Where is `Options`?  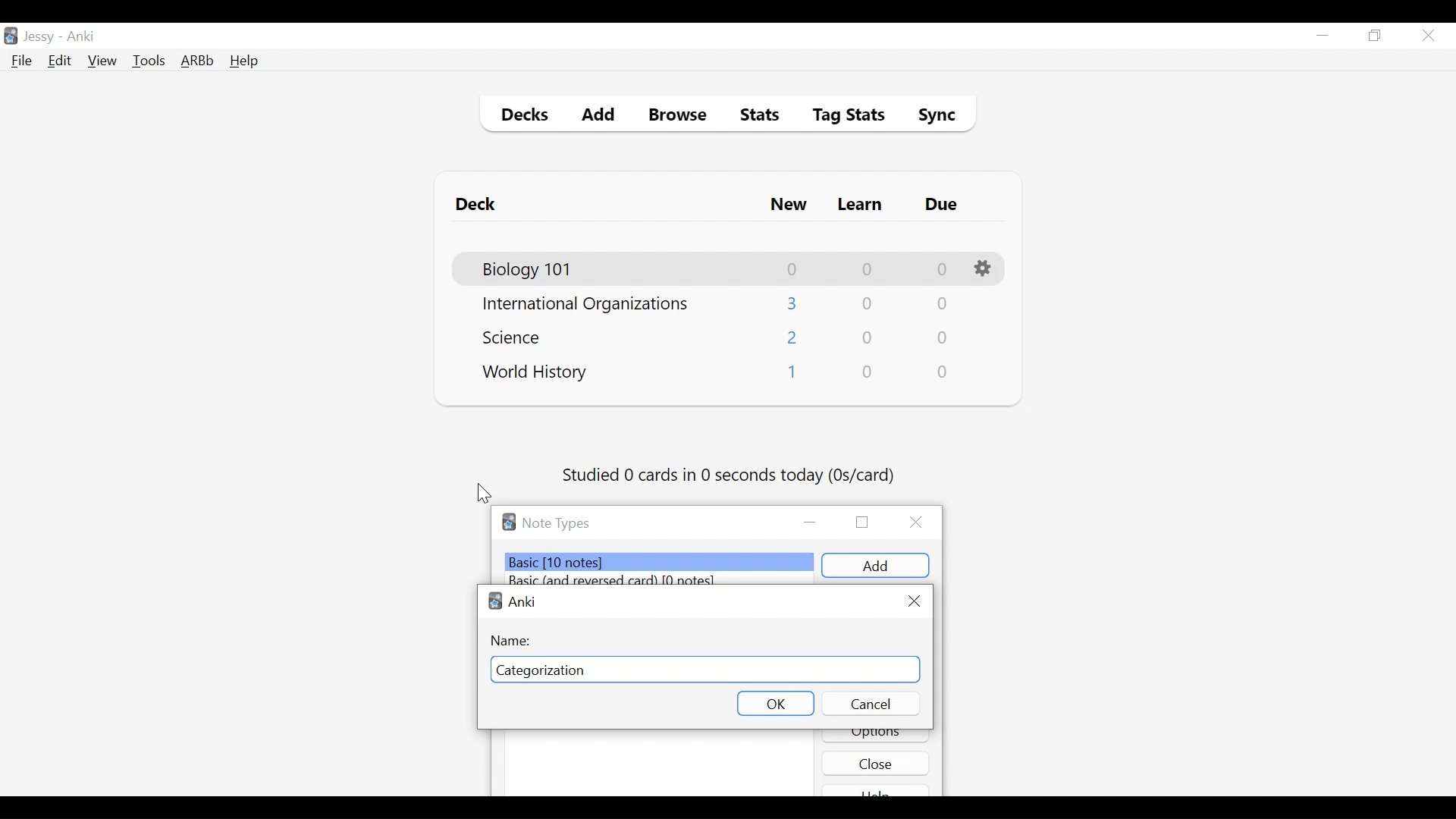 Options is located at coordinates (876, 736).